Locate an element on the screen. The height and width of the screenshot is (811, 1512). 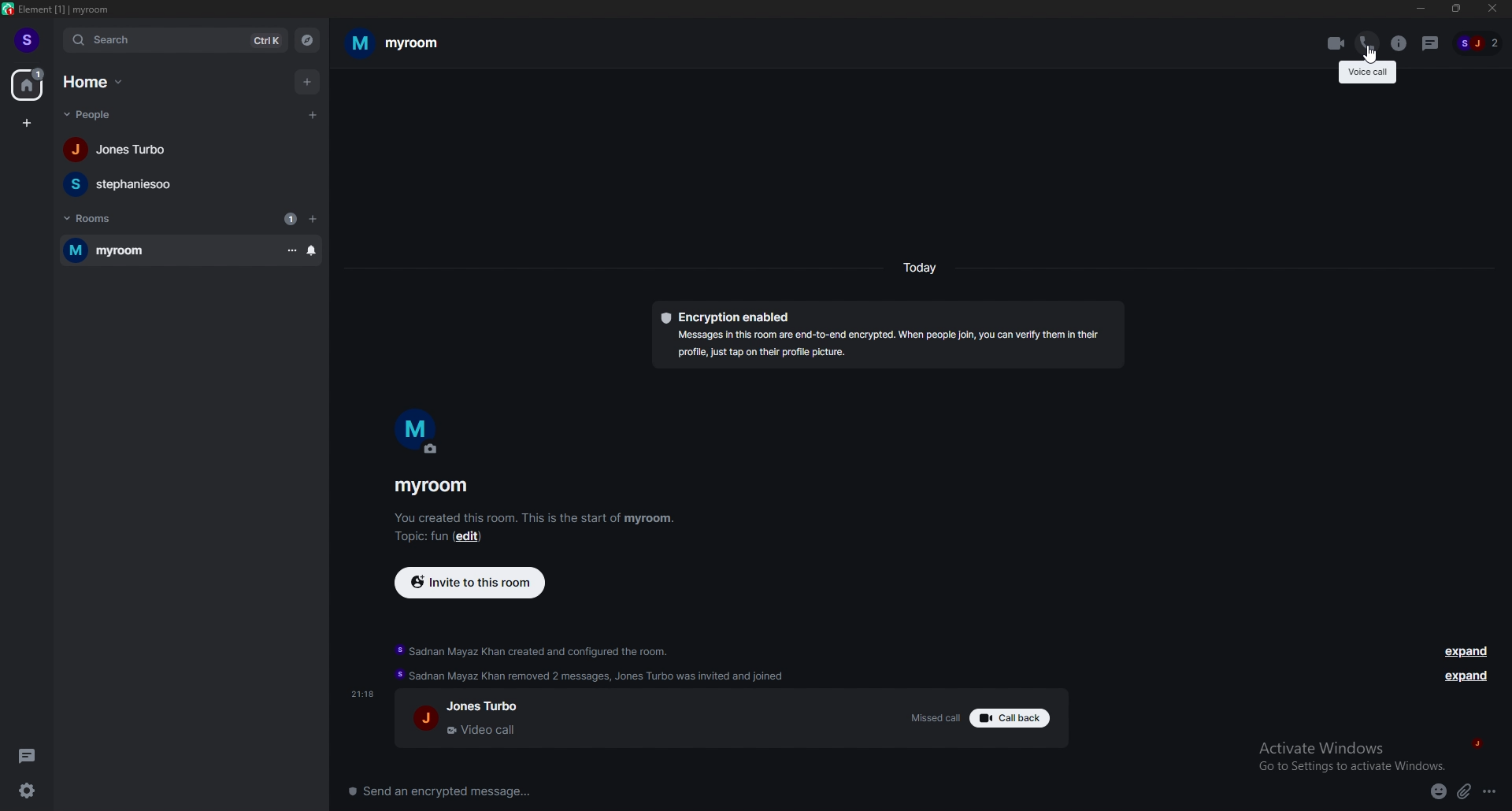
room photo is located at coordinates (416, 433).